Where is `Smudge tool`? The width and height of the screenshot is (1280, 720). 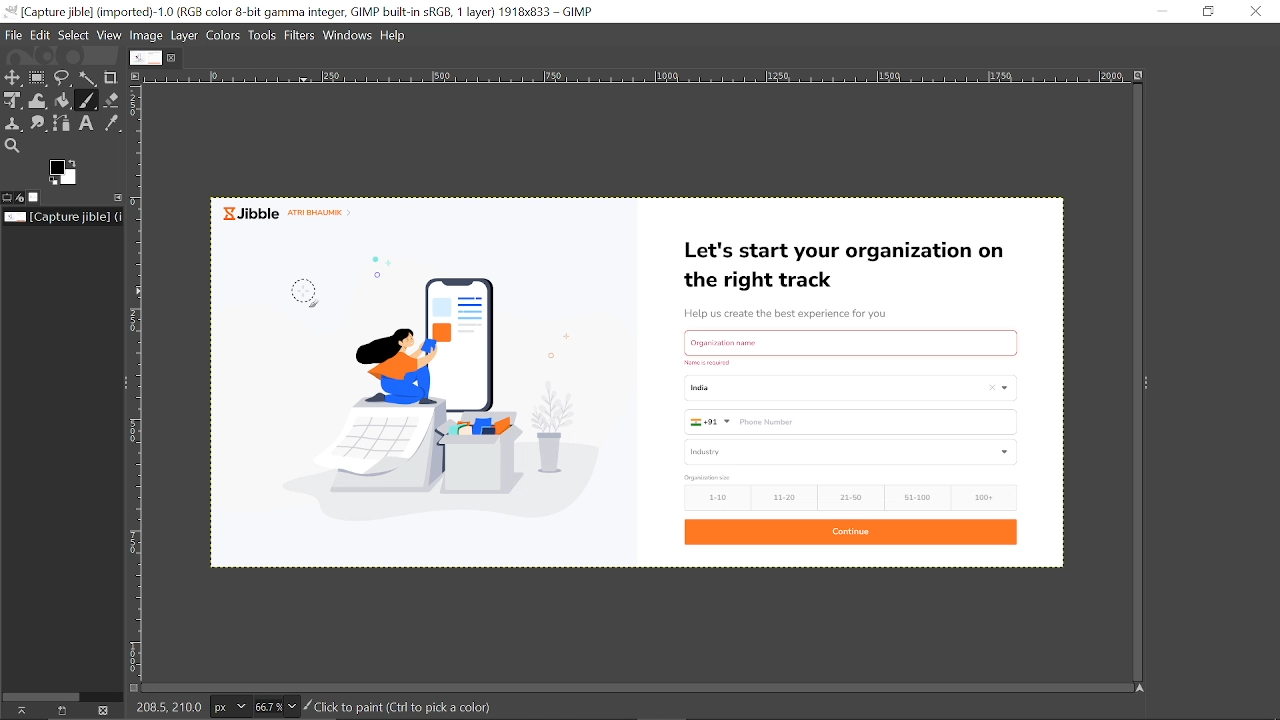 Smudge tool is located at coordinates (40, 122).